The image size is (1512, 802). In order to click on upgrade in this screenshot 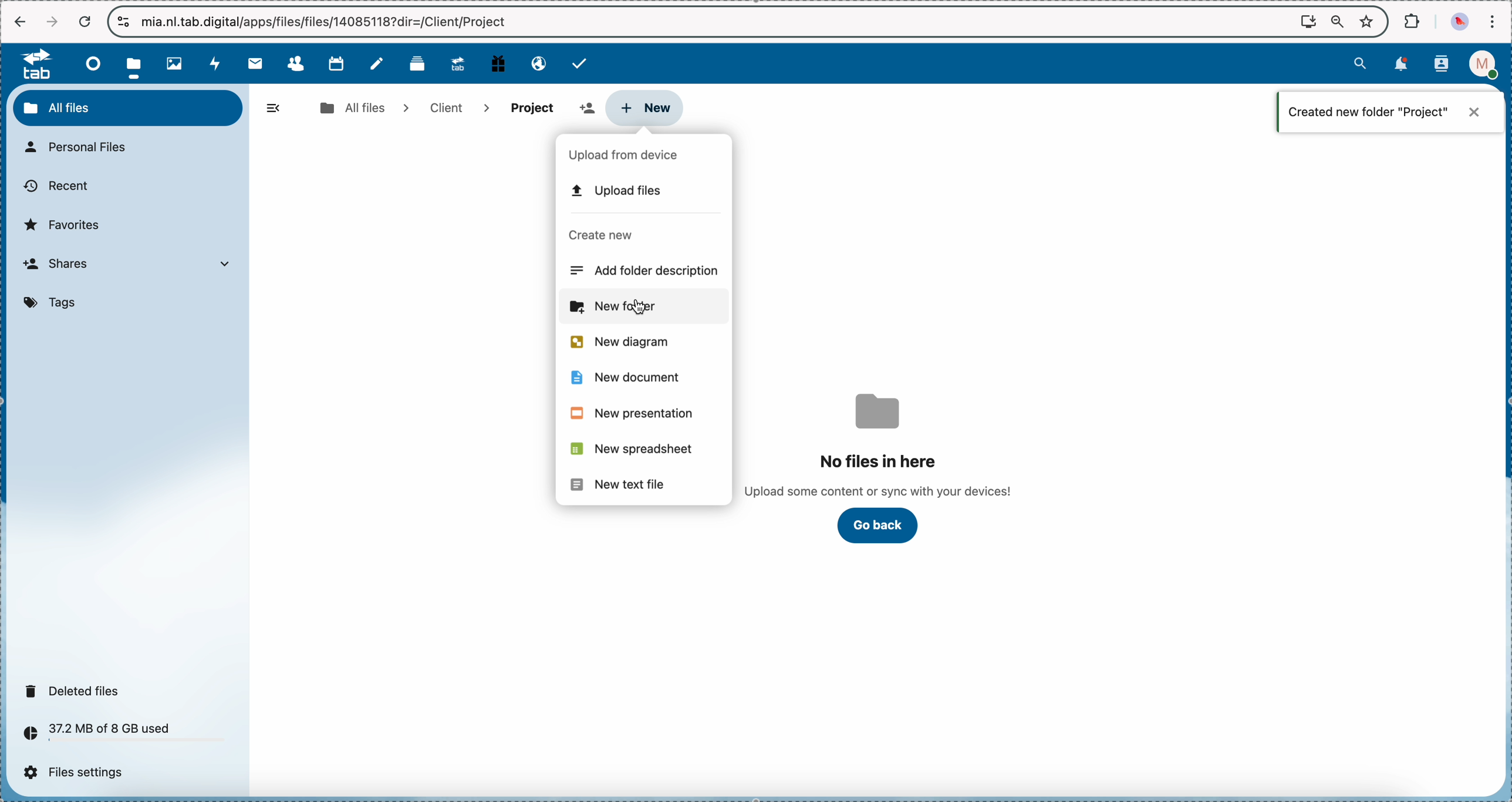, I will do `click(458, 63)`.